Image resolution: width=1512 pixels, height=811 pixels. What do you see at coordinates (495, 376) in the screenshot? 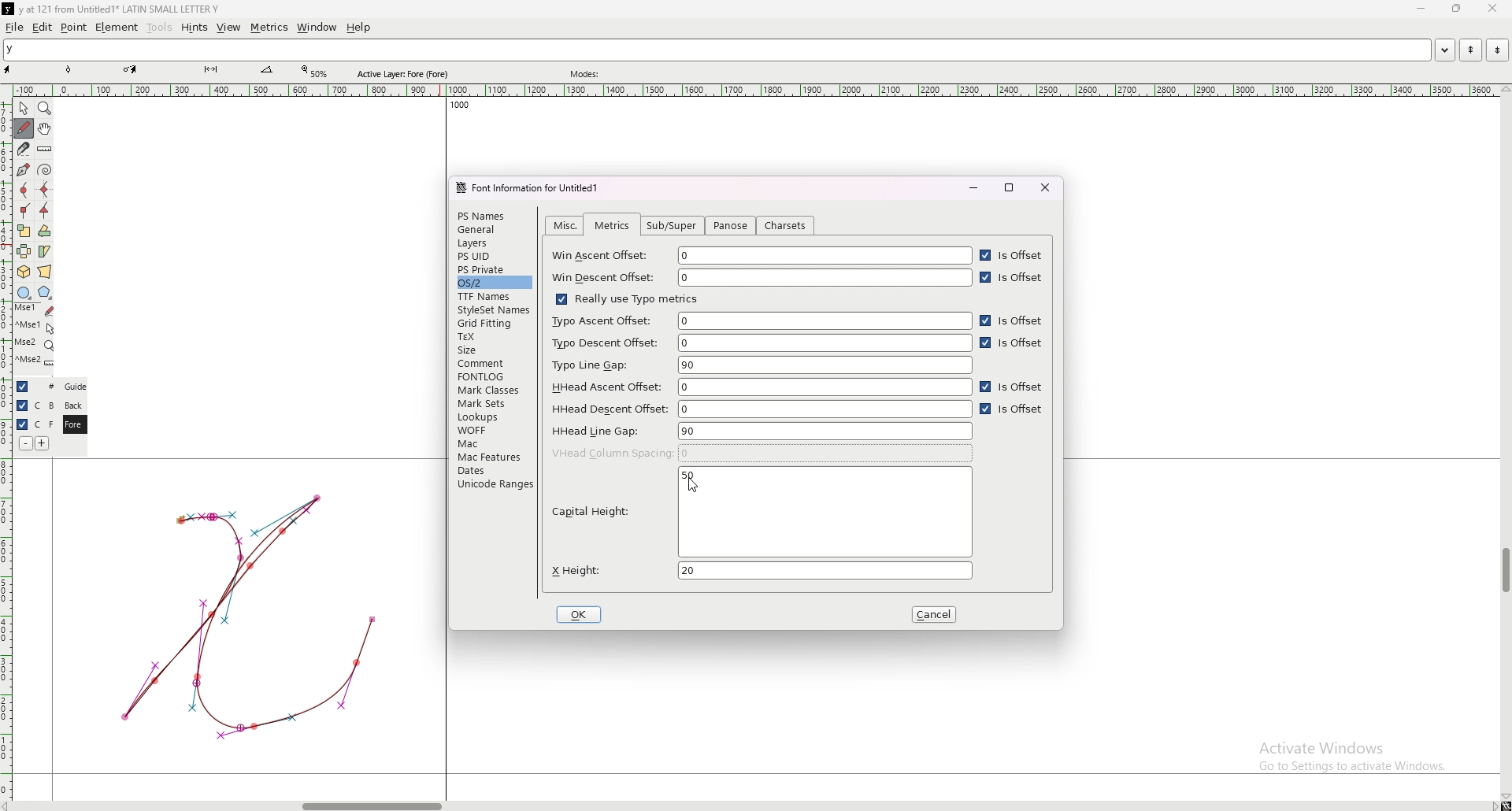
I see `fontlog` at bounding box center [495, 376].